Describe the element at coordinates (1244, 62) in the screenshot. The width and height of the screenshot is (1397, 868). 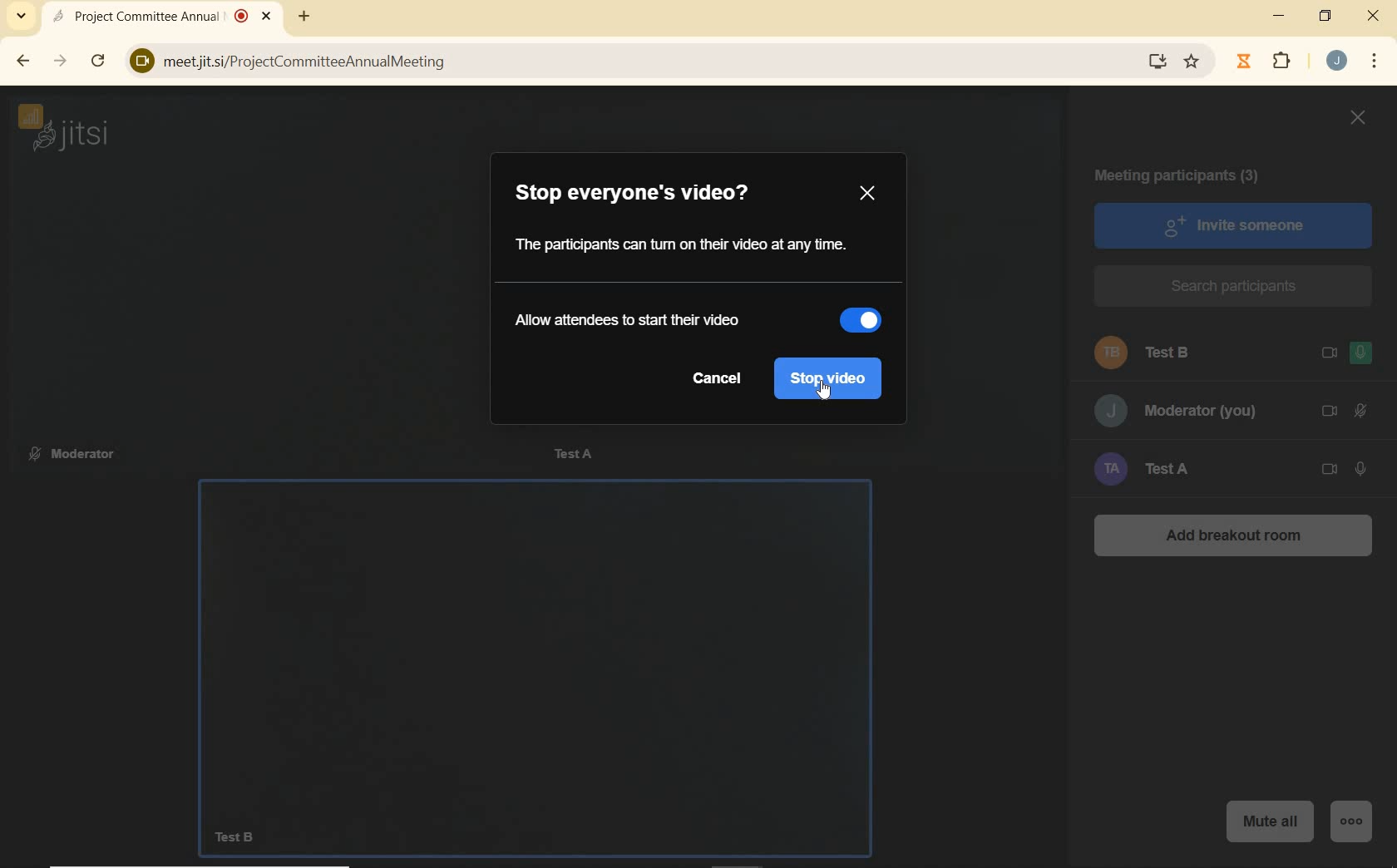
I see `Jibble` at that location.